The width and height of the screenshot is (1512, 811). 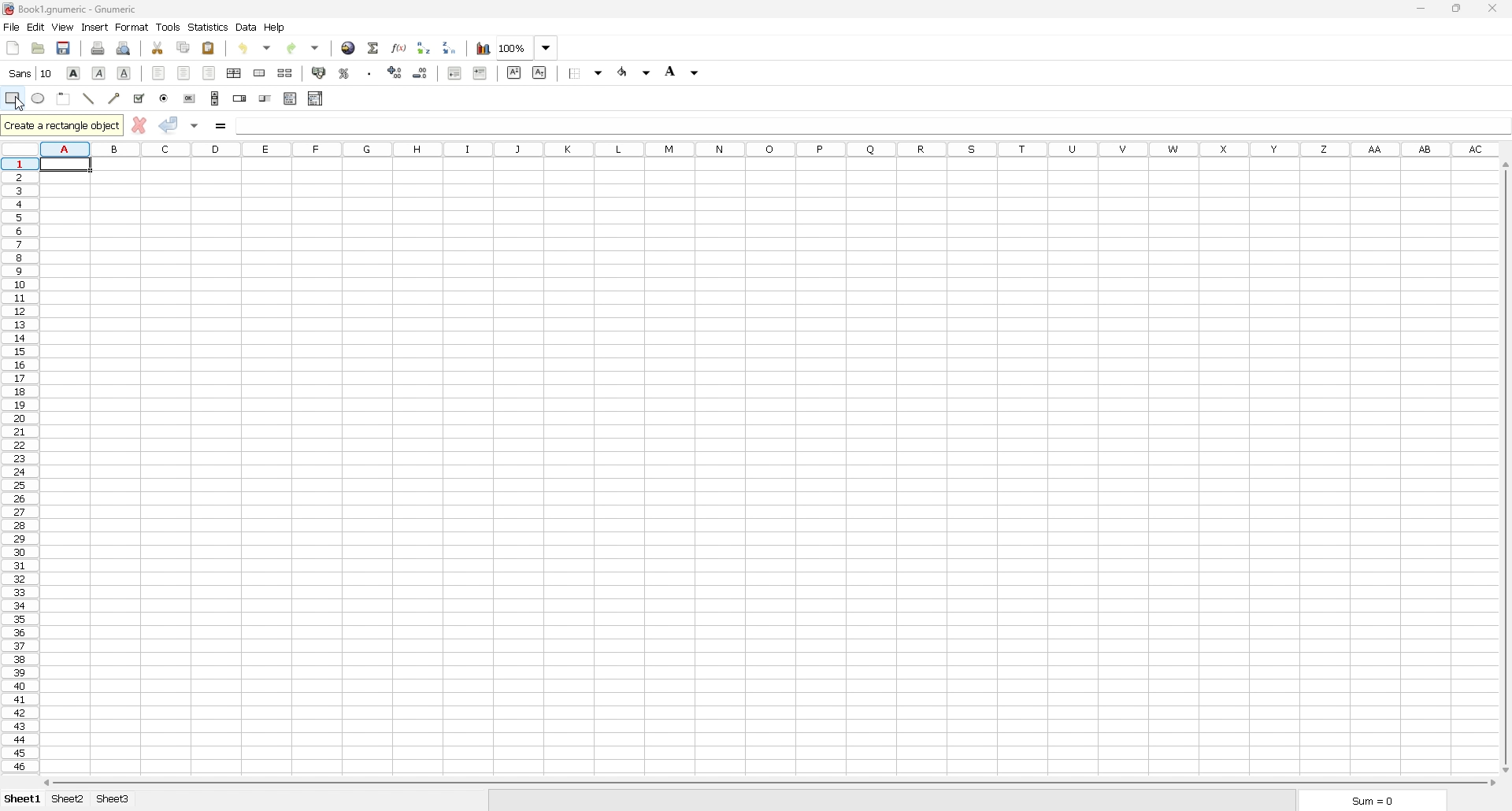 What do you see at coordinates (260, 72) in the screenshot?
I see `merge cells` at bounding box center [260, 72].